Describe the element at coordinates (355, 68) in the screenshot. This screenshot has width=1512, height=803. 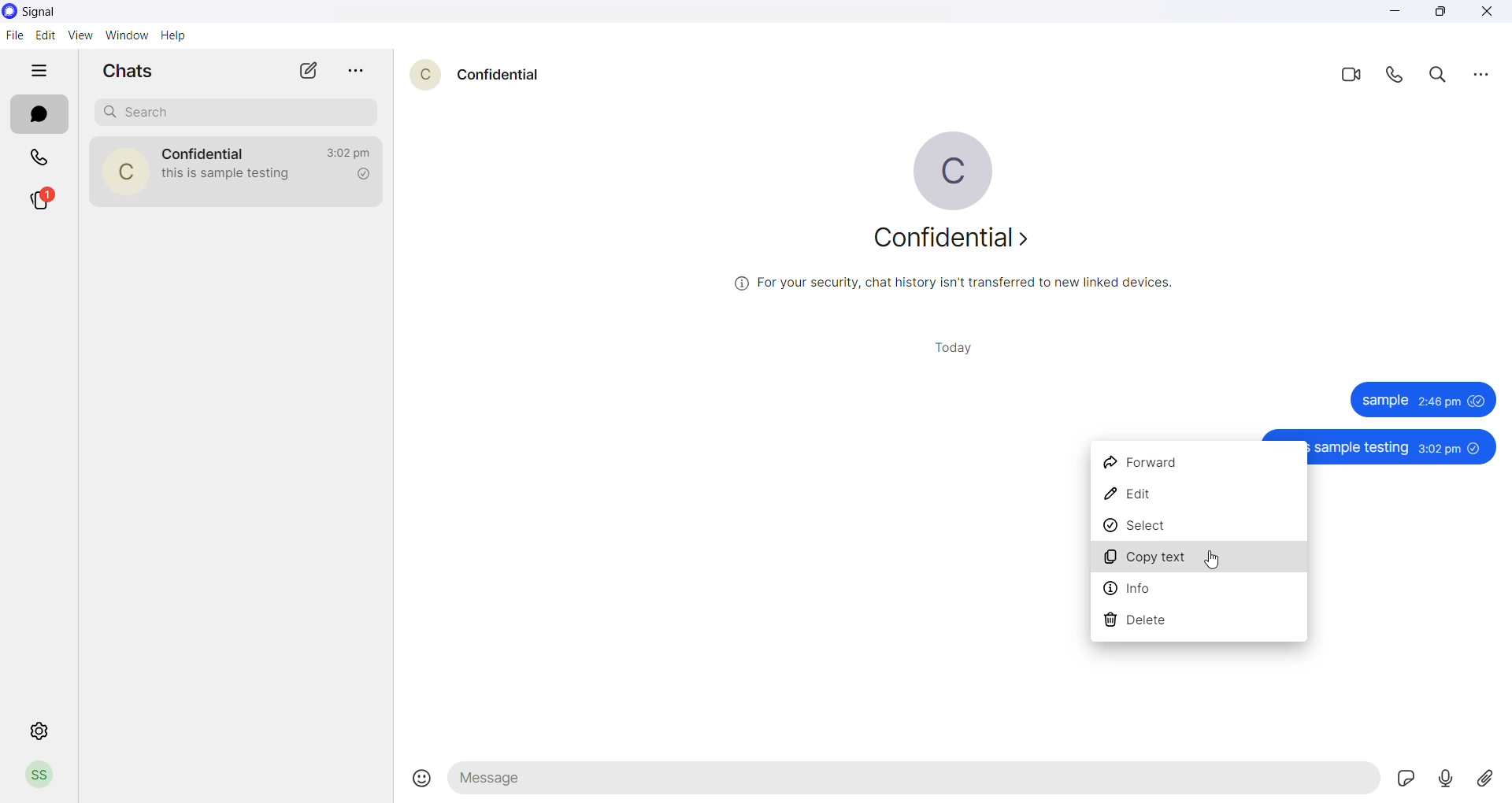
I see `more options` at that location.